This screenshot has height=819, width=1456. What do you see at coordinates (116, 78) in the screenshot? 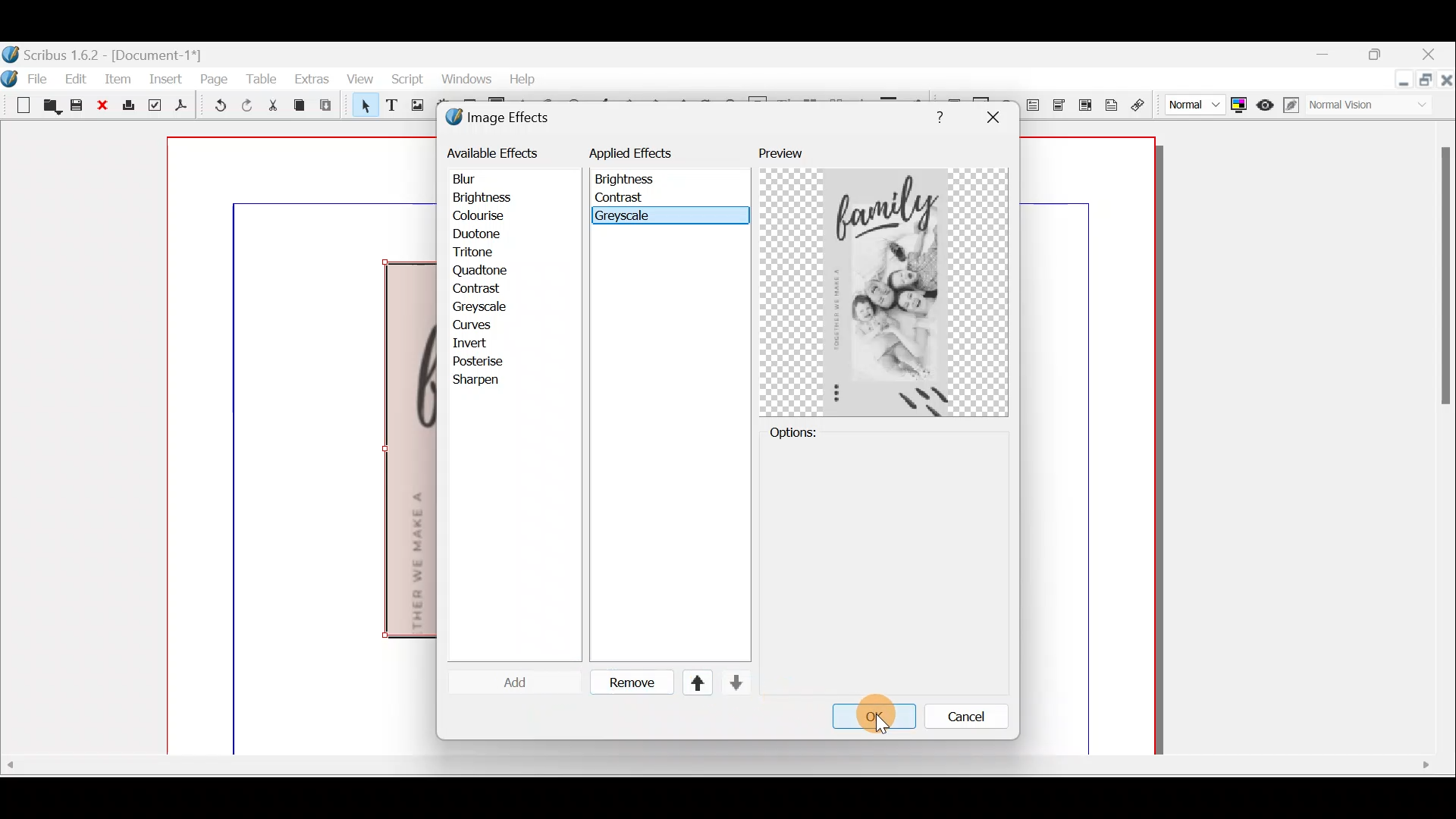
I see `Item` at bounding box center [116, 78].